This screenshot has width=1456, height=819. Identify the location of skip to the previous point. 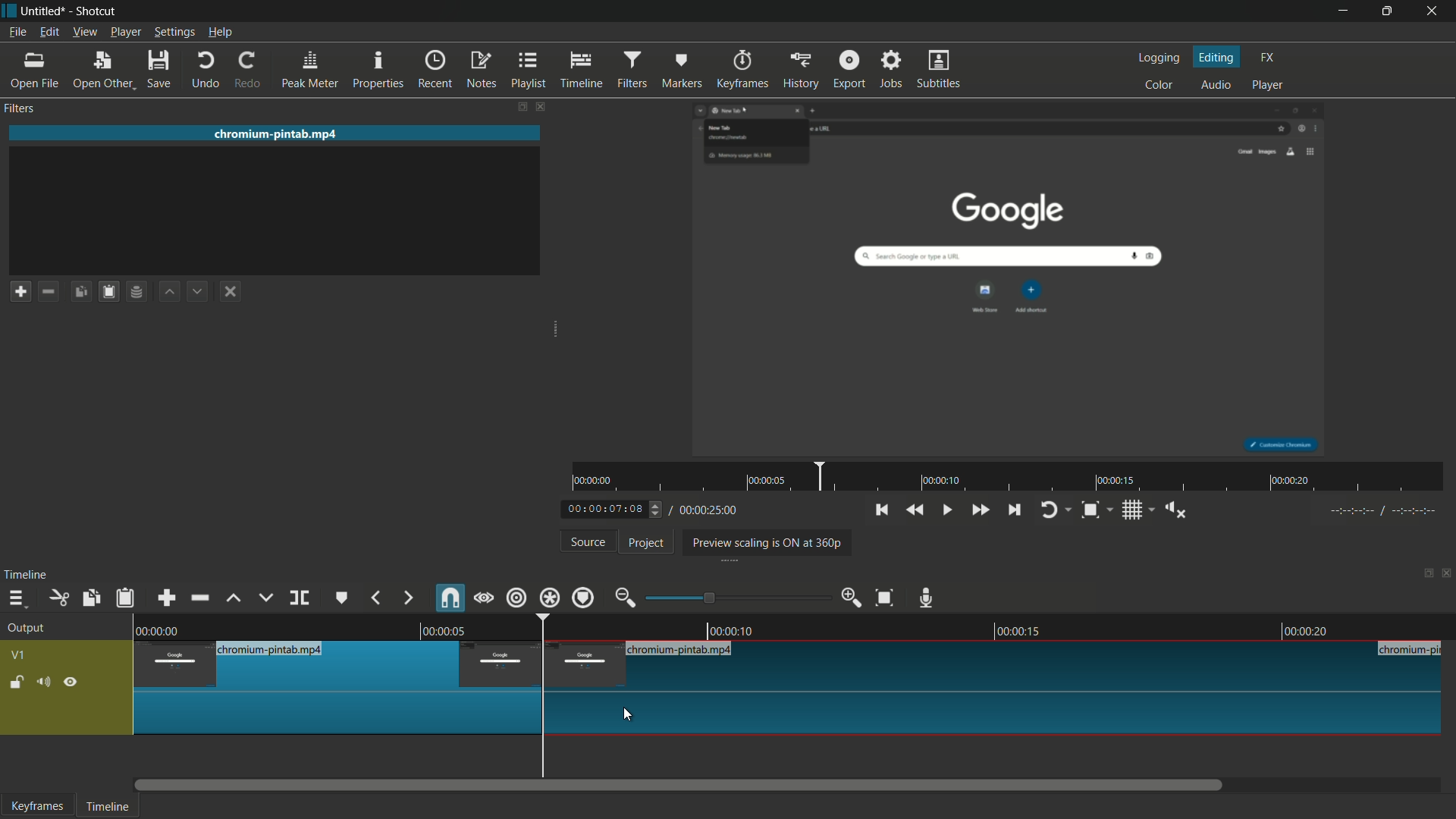
(880, 510).